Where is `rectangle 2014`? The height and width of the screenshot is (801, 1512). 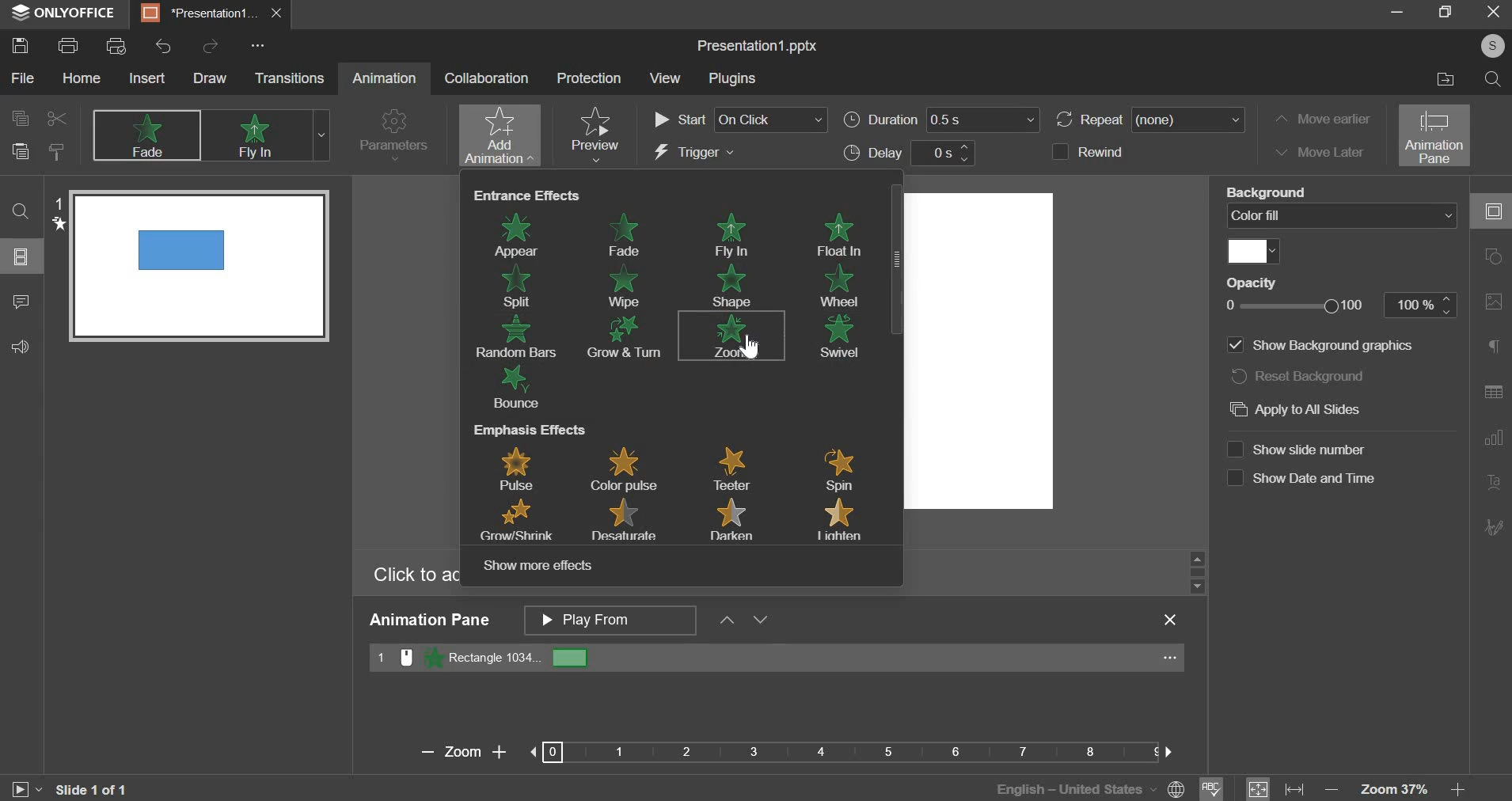
rectangle 2014 is located at coordinates (751, 658).